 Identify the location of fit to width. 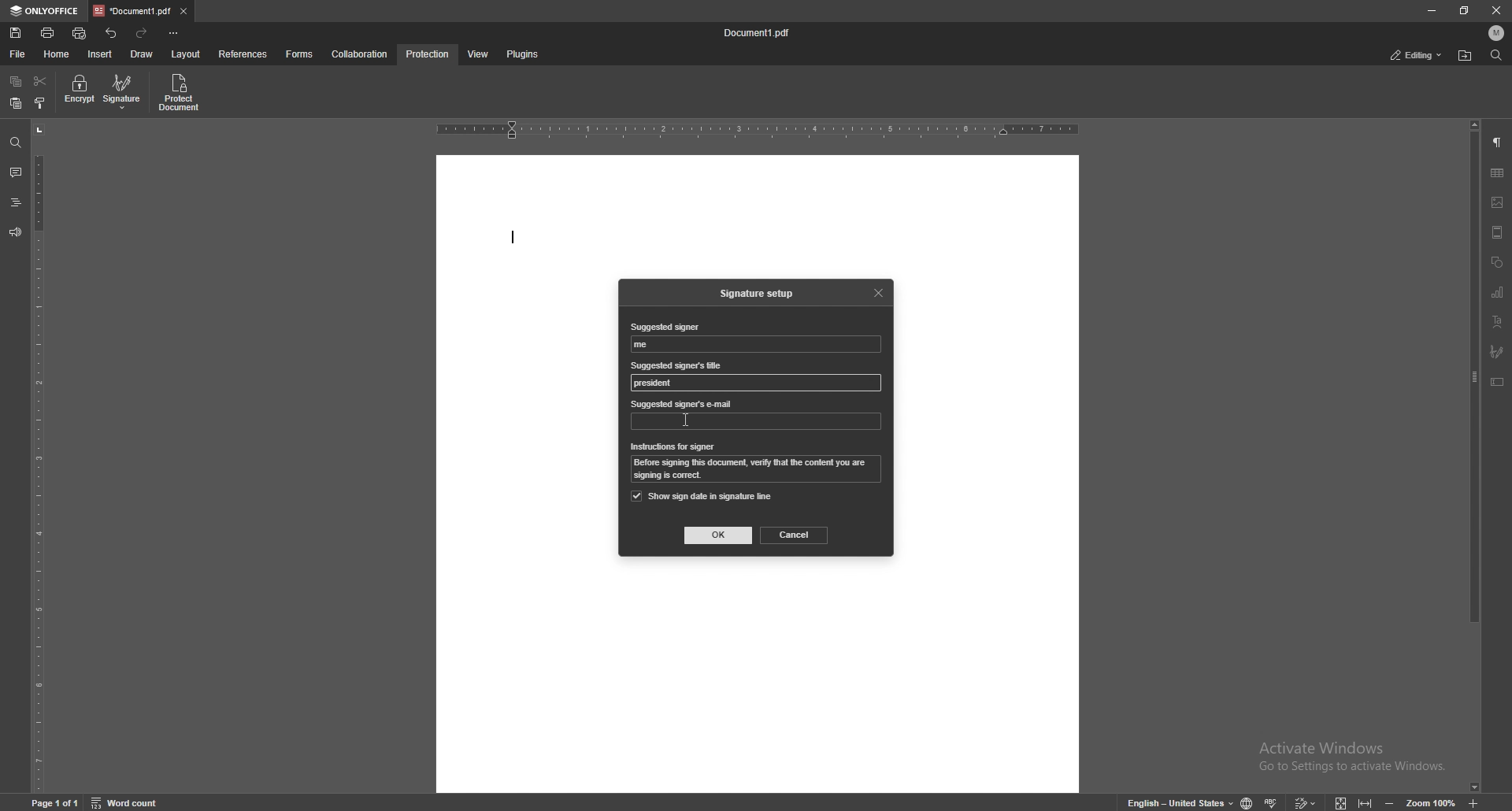
(1367, 800).